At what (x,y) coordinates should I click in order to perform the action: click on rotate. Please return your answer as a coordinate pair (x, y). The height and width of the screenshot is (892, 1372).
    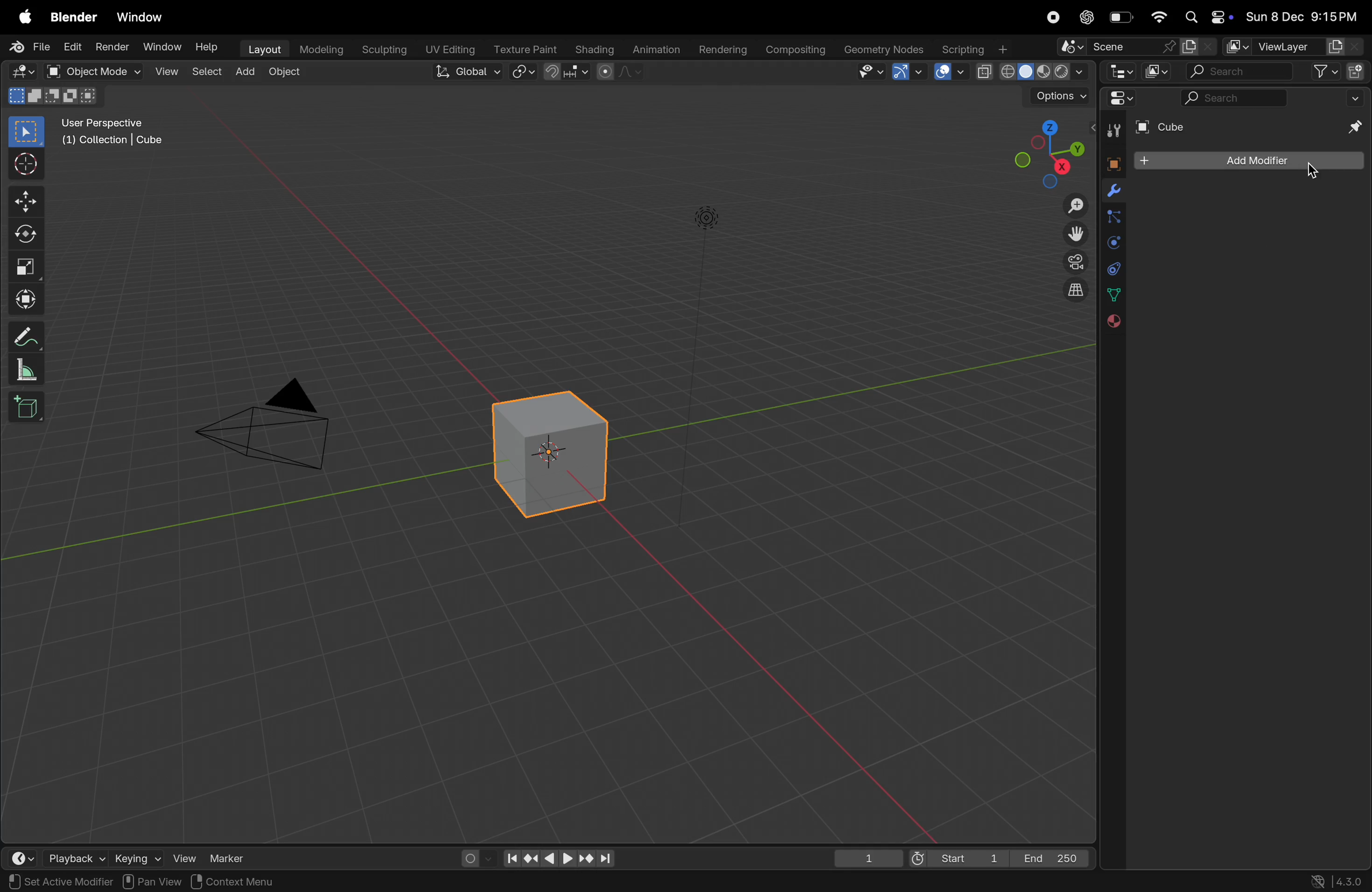
    Looking at the image, I should click on (26, 236).